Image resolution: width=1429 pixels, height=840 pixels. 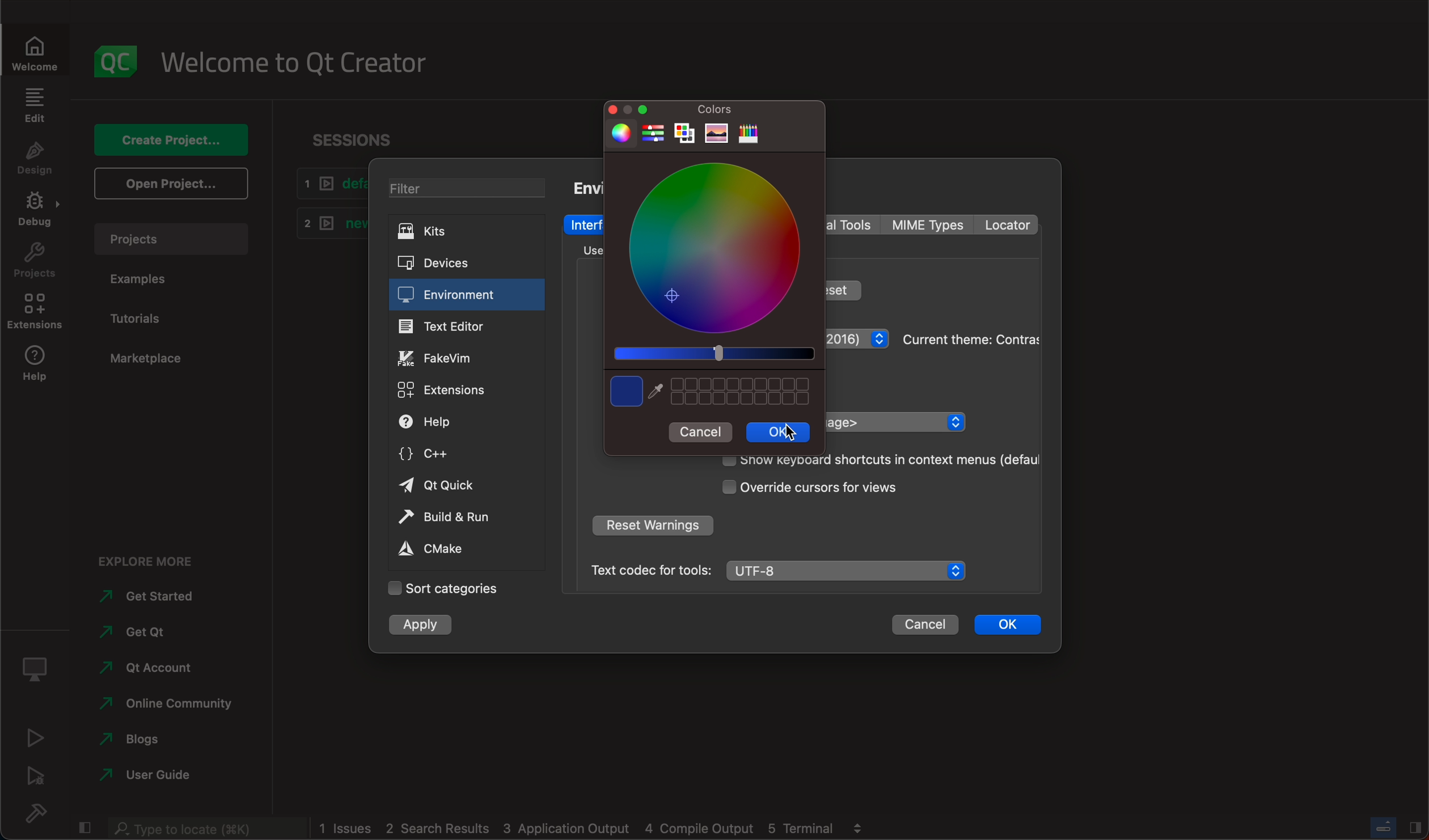 I want to click on filter, so click(x=462, y=186).